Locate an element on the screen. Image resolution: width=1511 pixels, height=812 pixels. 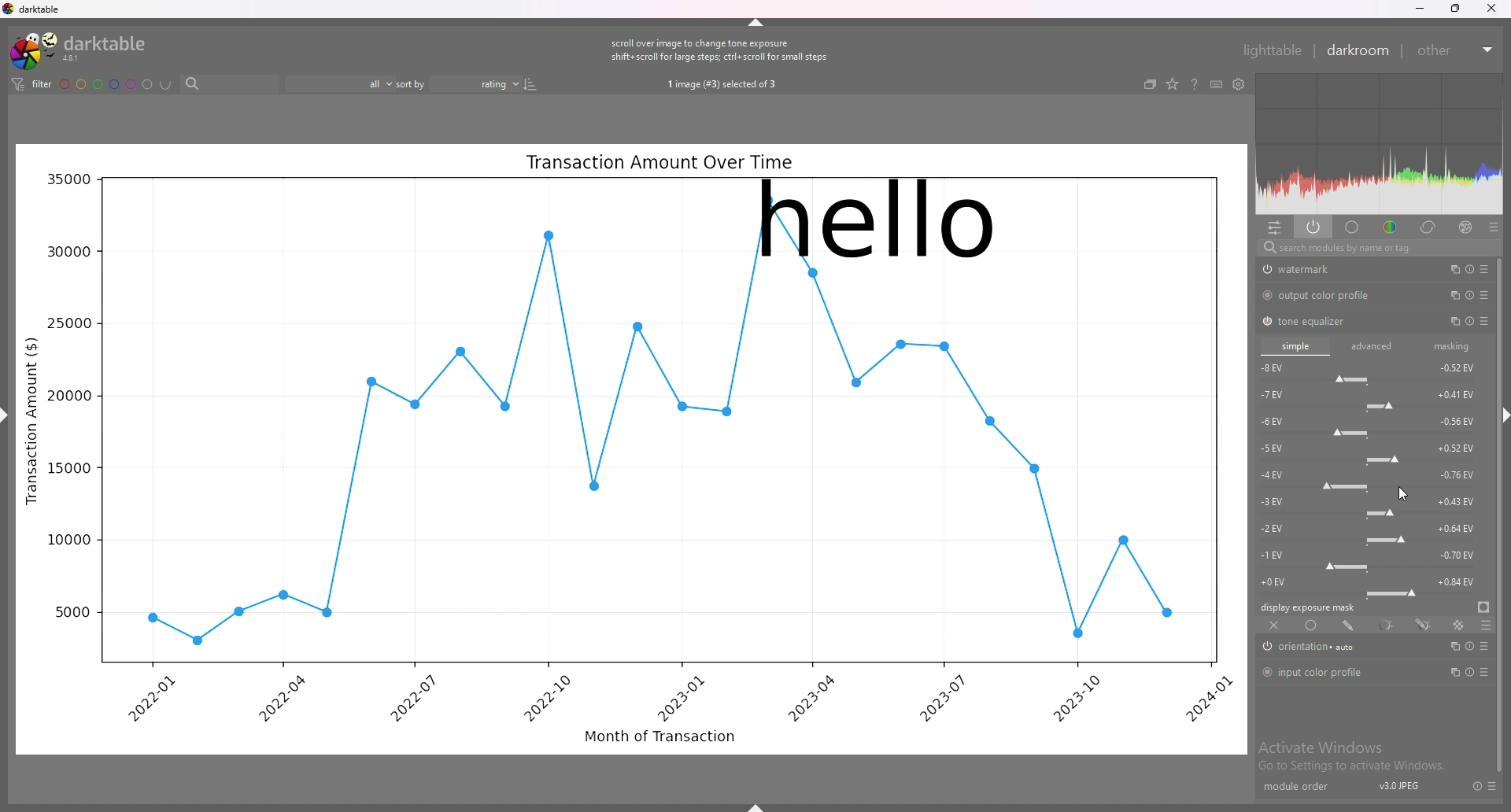
darktable logo is located at coordinates (84, 50).